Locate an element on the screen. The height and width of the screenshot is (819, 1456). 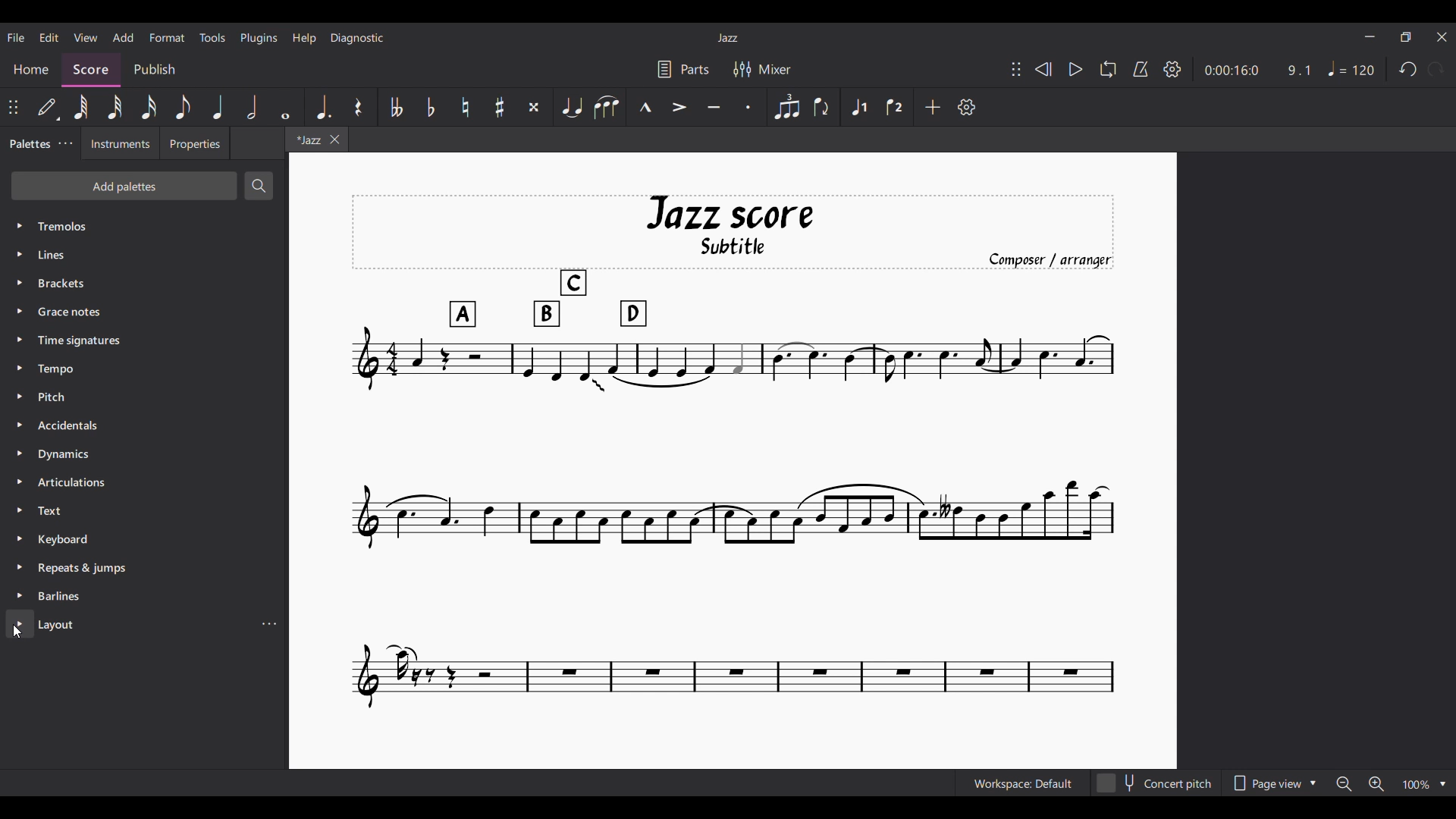
Articulations is located at coordinates (144, 482).